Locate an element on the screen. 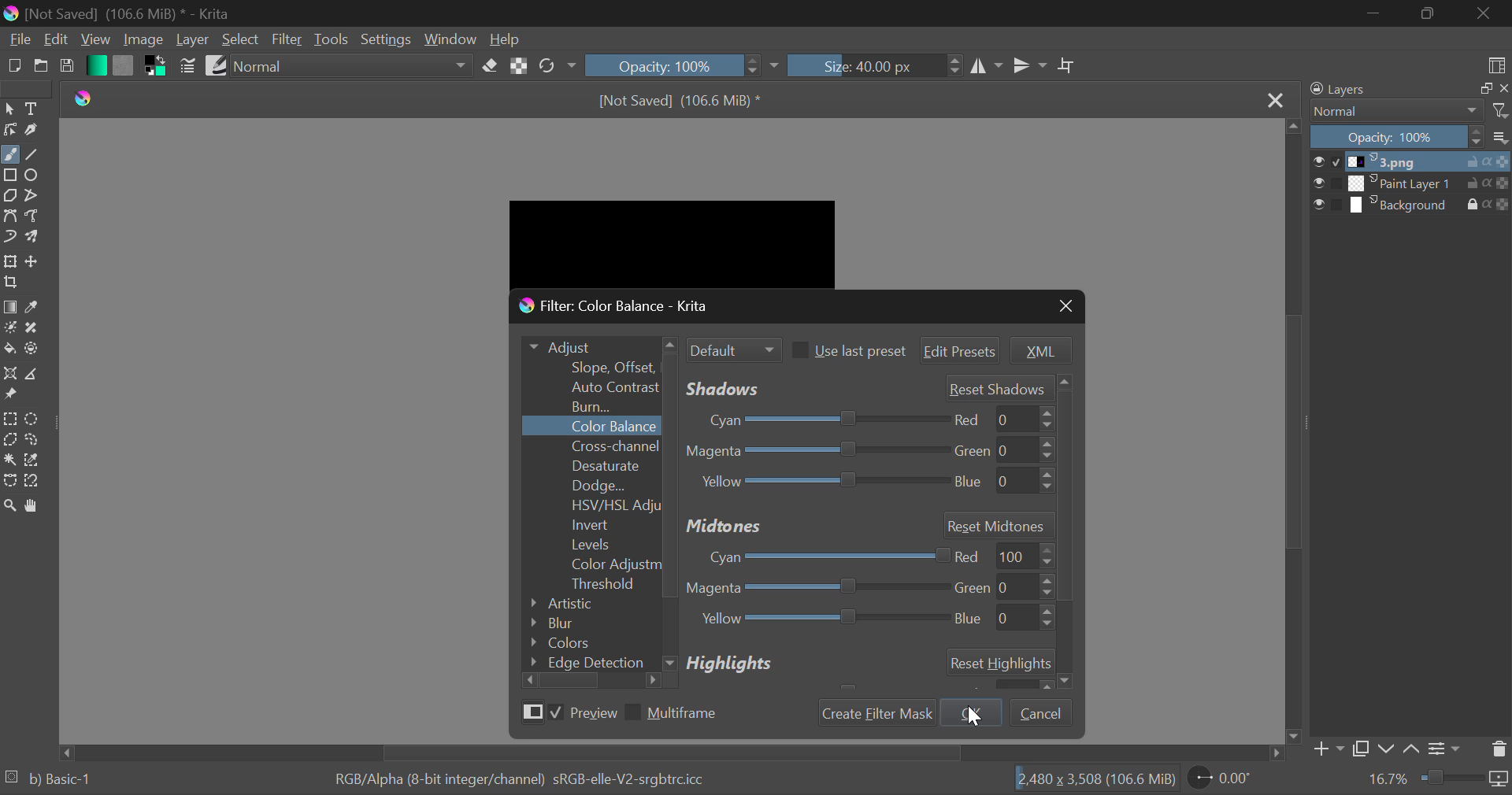 This screenshot has height=795, width=1512. Filter Mode is located at coordinates (732, 347).